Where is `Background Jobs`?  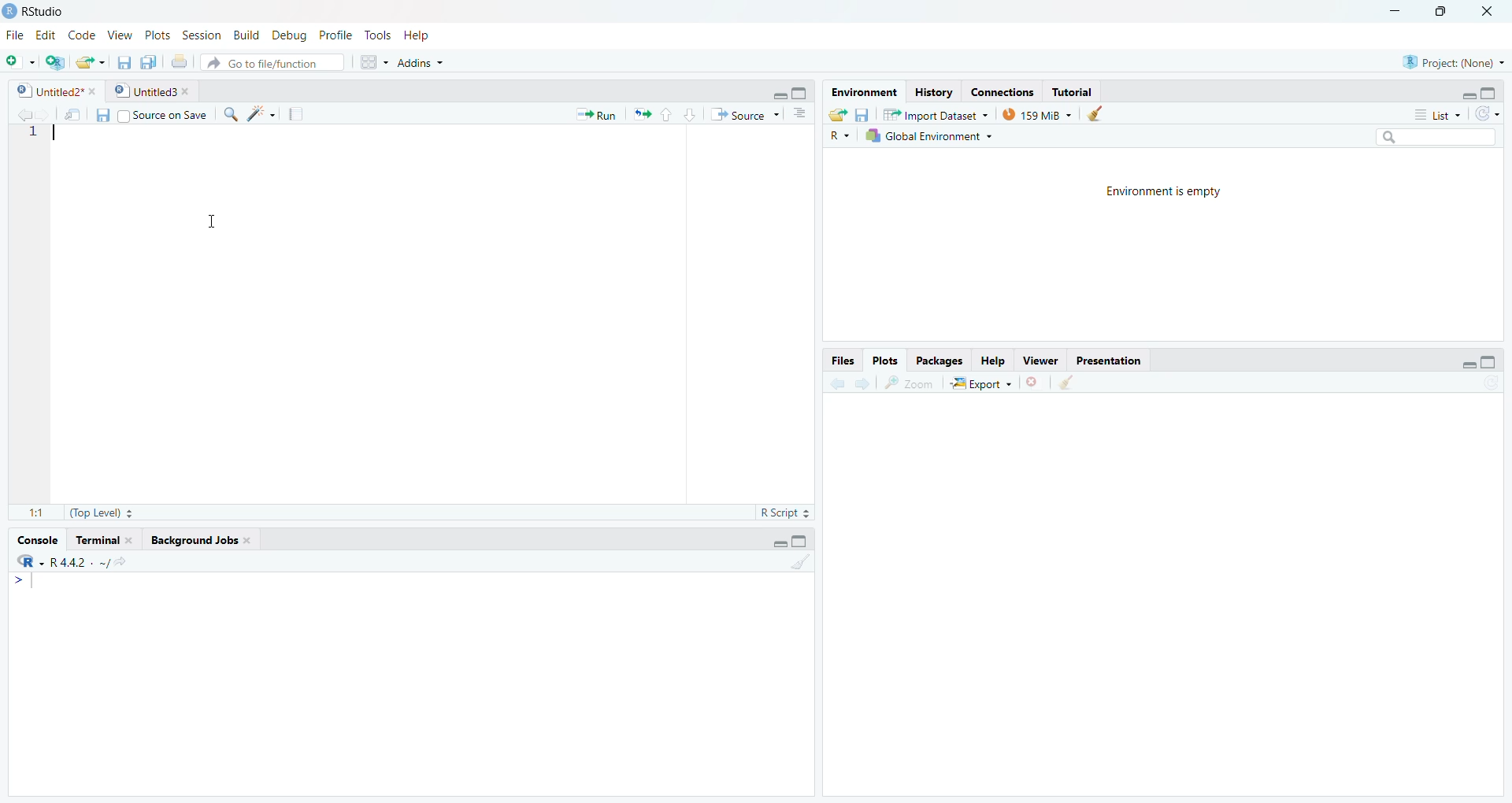 Background Jobs is located at coordinates (200, 541).